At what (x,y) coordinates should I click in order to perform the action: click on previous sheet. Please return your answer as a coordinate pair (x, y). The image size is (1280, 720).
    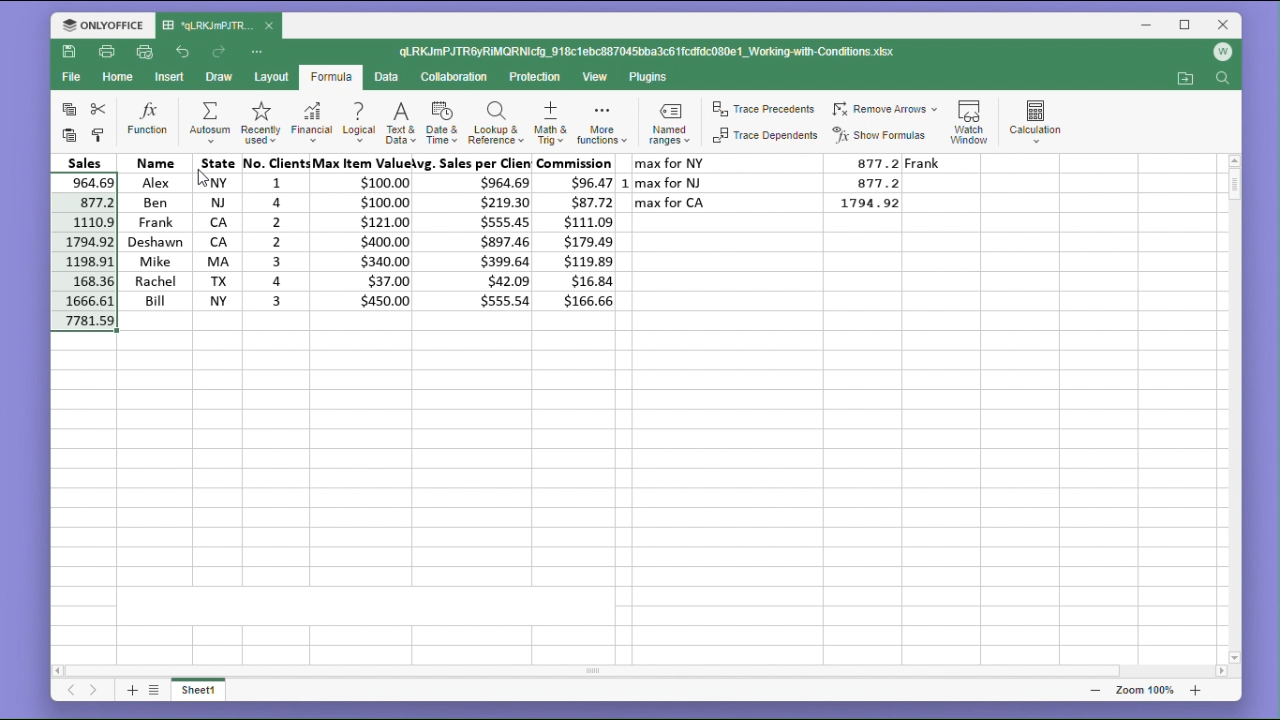
    Looking at the image, I should click on (70, 693).